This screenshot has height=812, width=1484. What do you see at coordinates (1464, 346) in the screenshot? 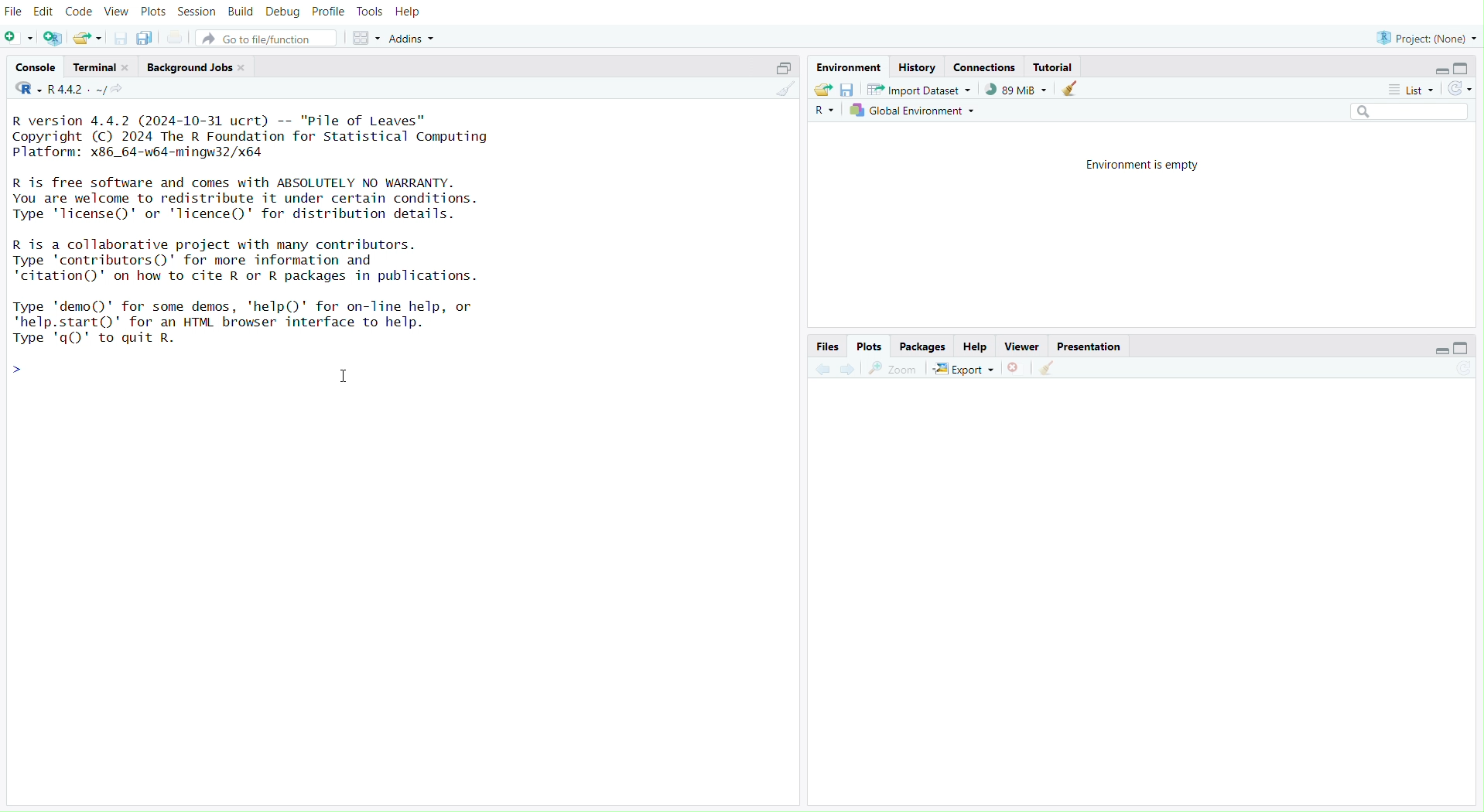
I see `Maximize` at bounding box center [1464, 346].